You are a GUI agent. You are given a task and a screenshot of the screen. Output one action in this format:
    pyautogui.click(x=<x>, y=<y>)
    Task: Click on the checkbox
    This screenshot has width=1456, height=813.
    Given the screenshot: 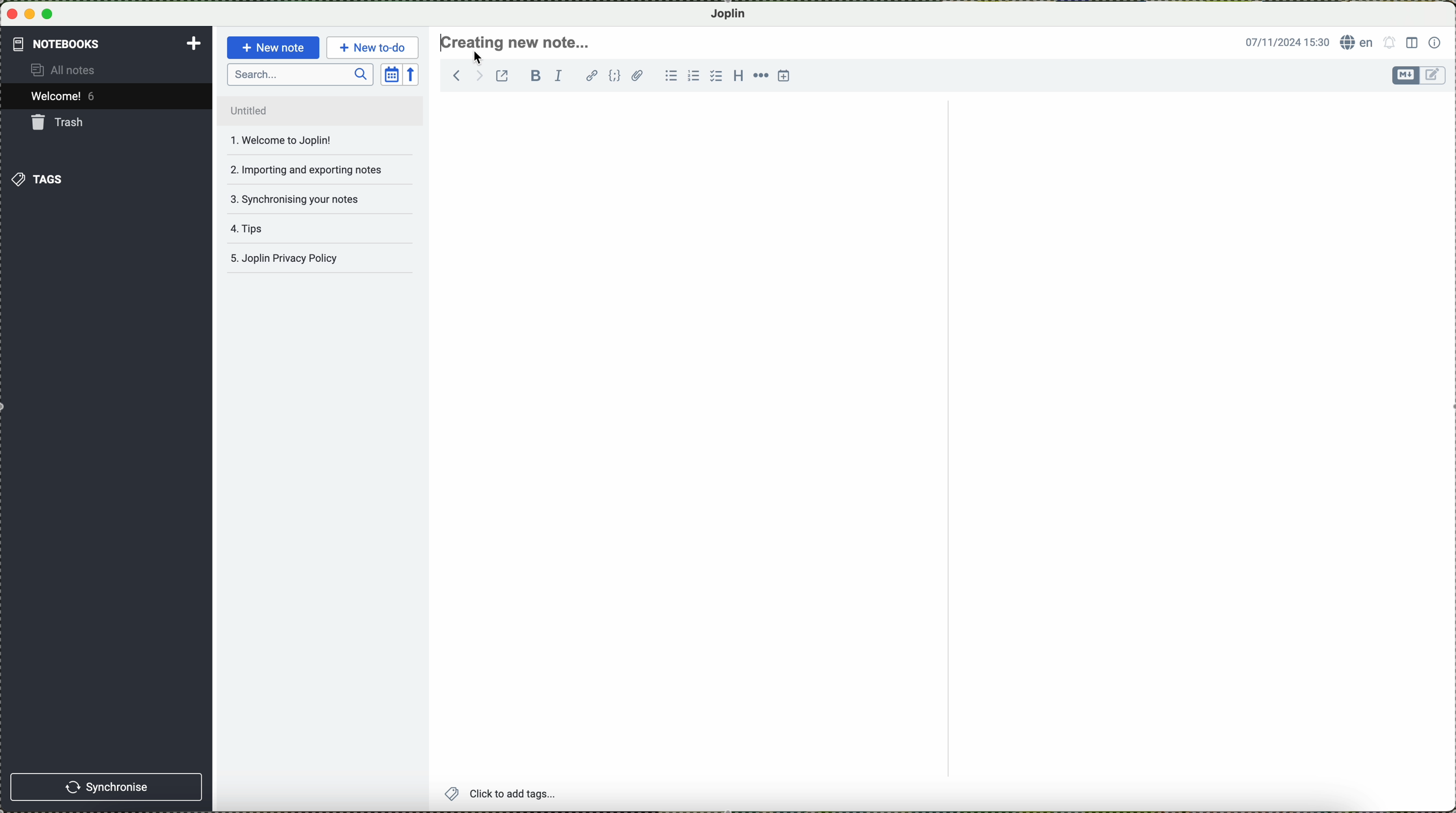 What is the action you would take?
    pyautogui.click(x=714, y=76)
    